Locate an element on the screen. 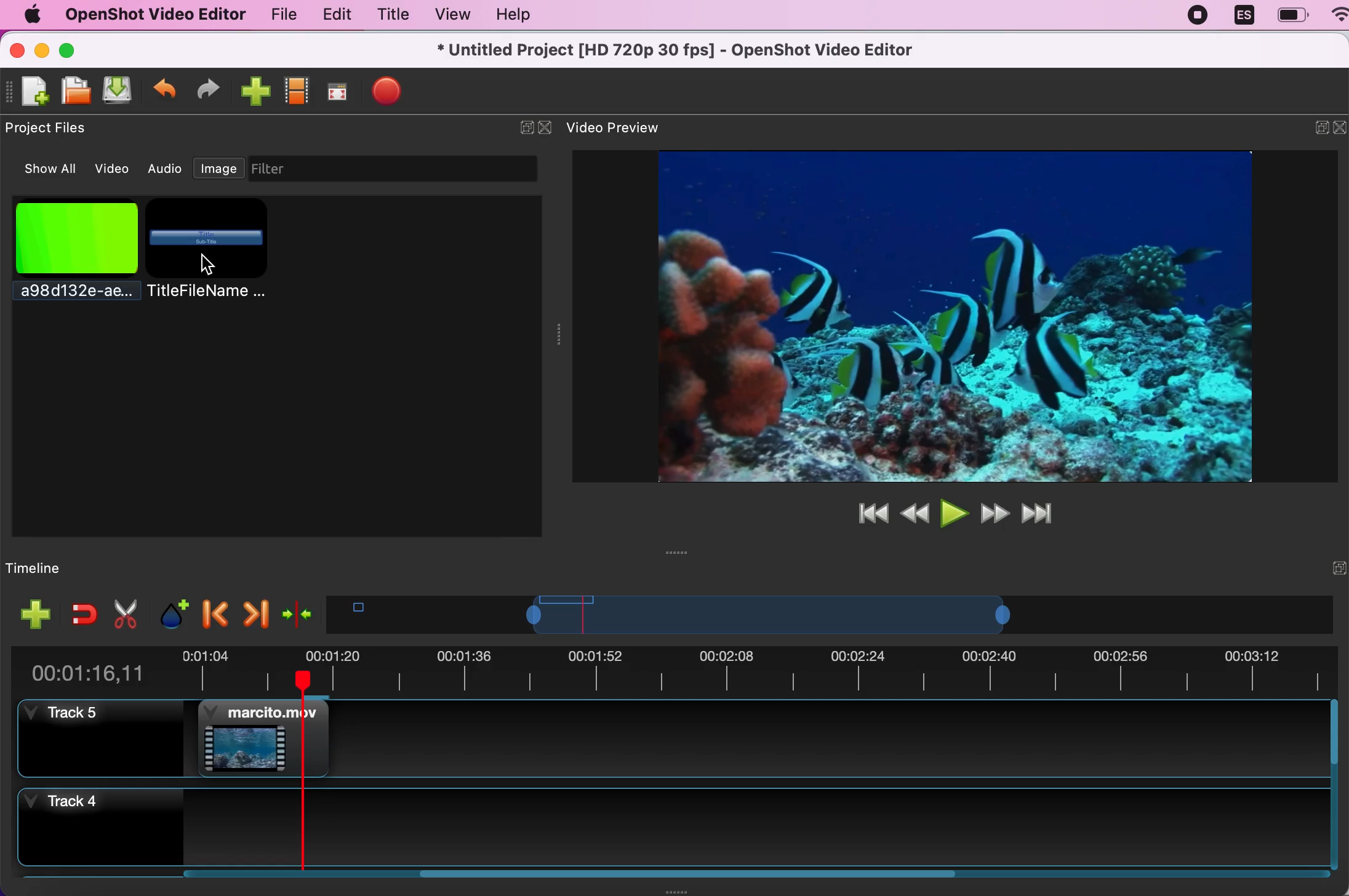 This screenshot has width=1349, height=896. help is located at coordinates (524, 15).